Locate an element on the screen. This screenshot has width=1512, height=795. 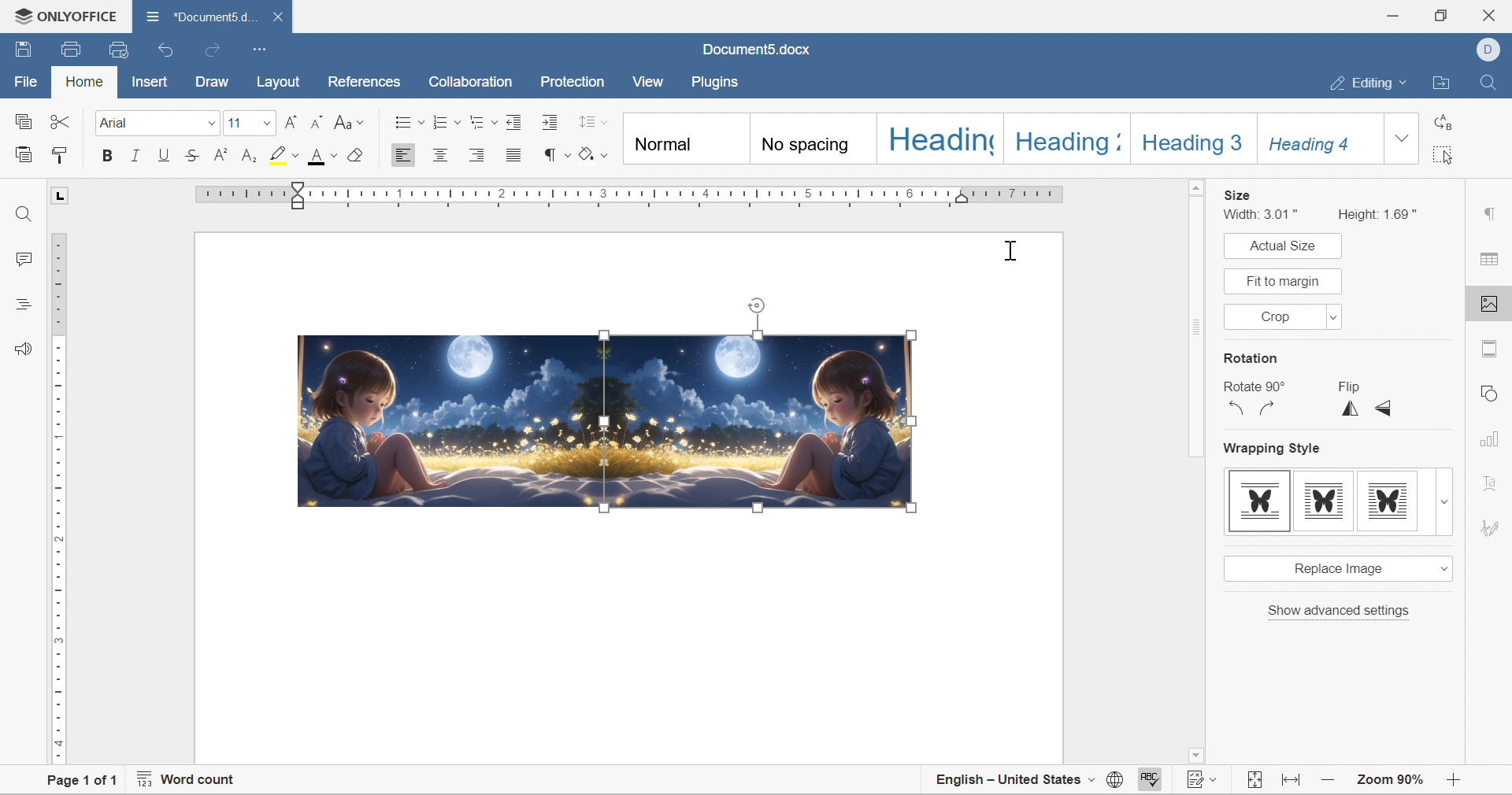
dell is located at coordinates (1487, 48).